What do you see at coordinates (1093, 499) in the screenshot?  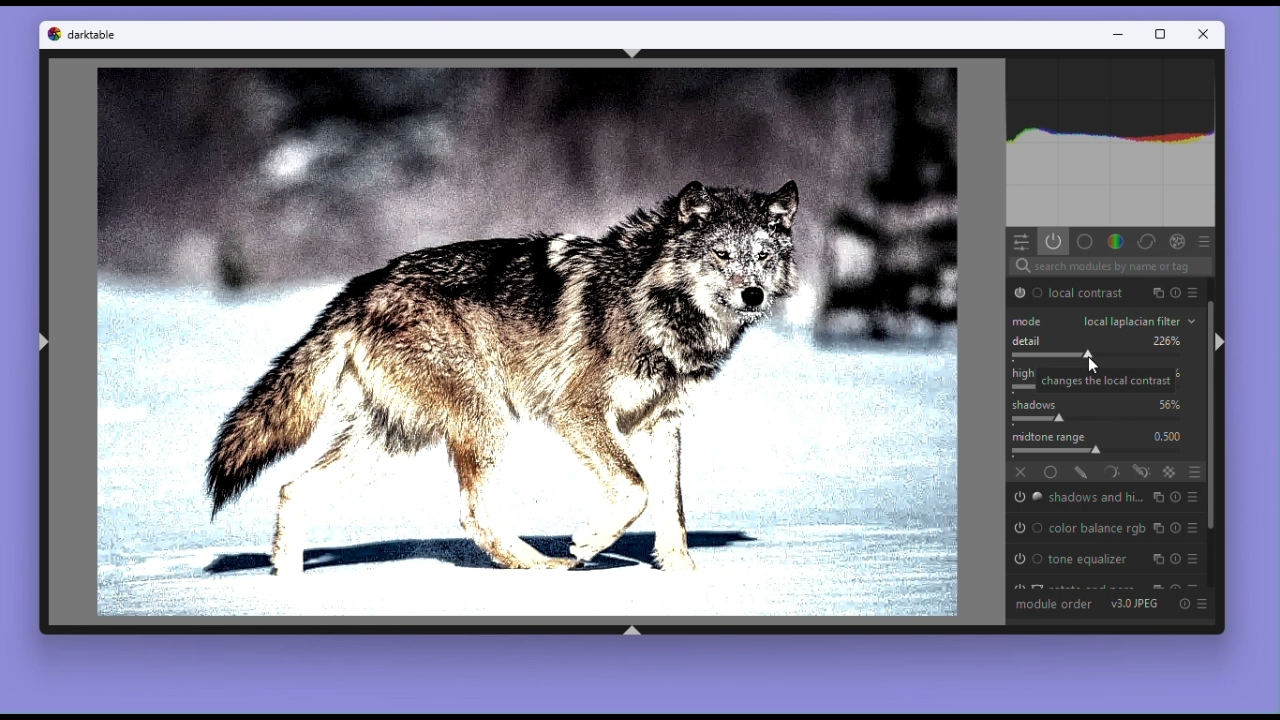 I see `shadows and highlights` at bounding box center [1093, 499].